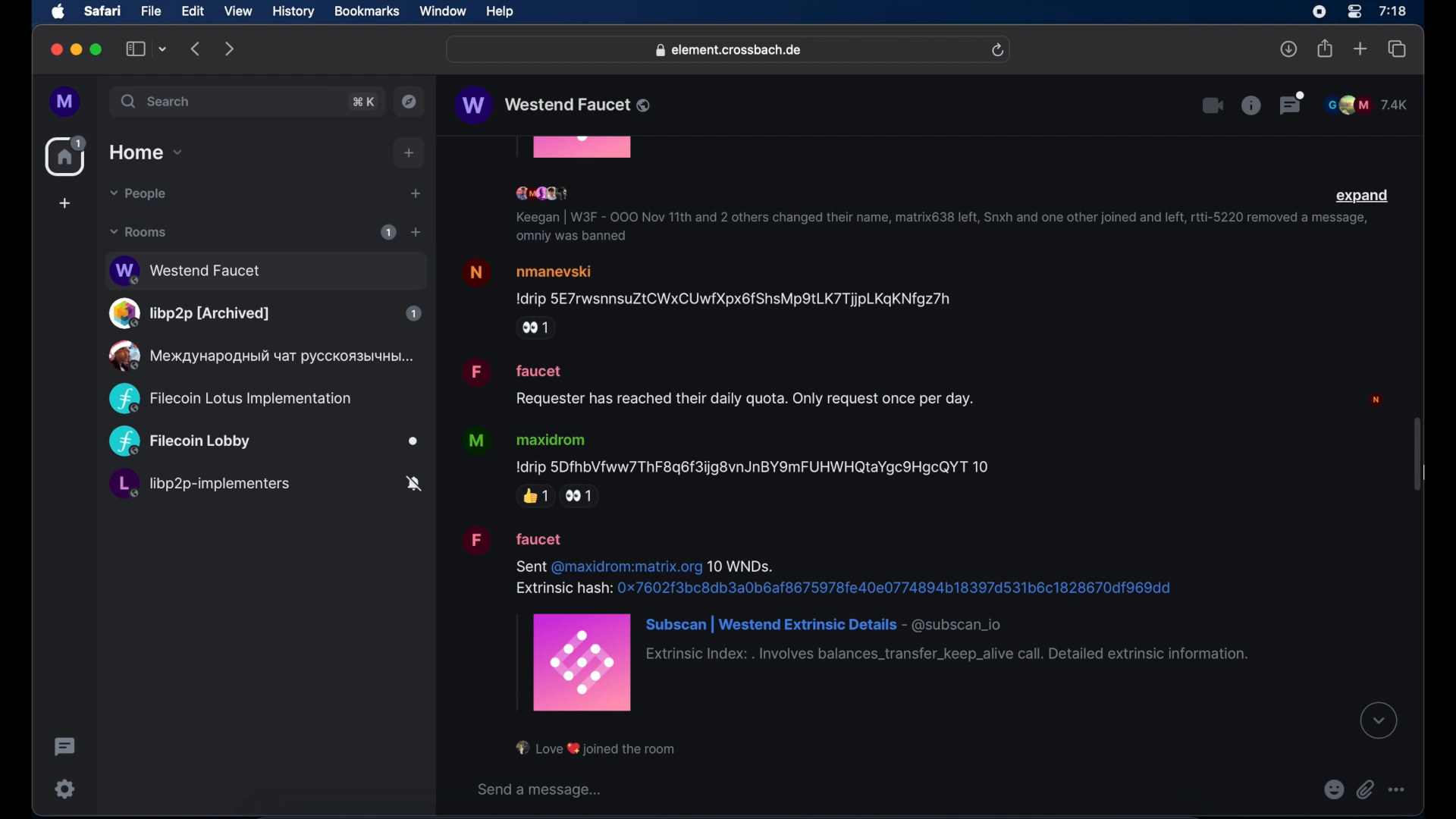 This screenshot has height=819, width=1456. What do you see at coordinates (855, 618) in the screenshot?
I see `message` at bounding box center [855, 618].